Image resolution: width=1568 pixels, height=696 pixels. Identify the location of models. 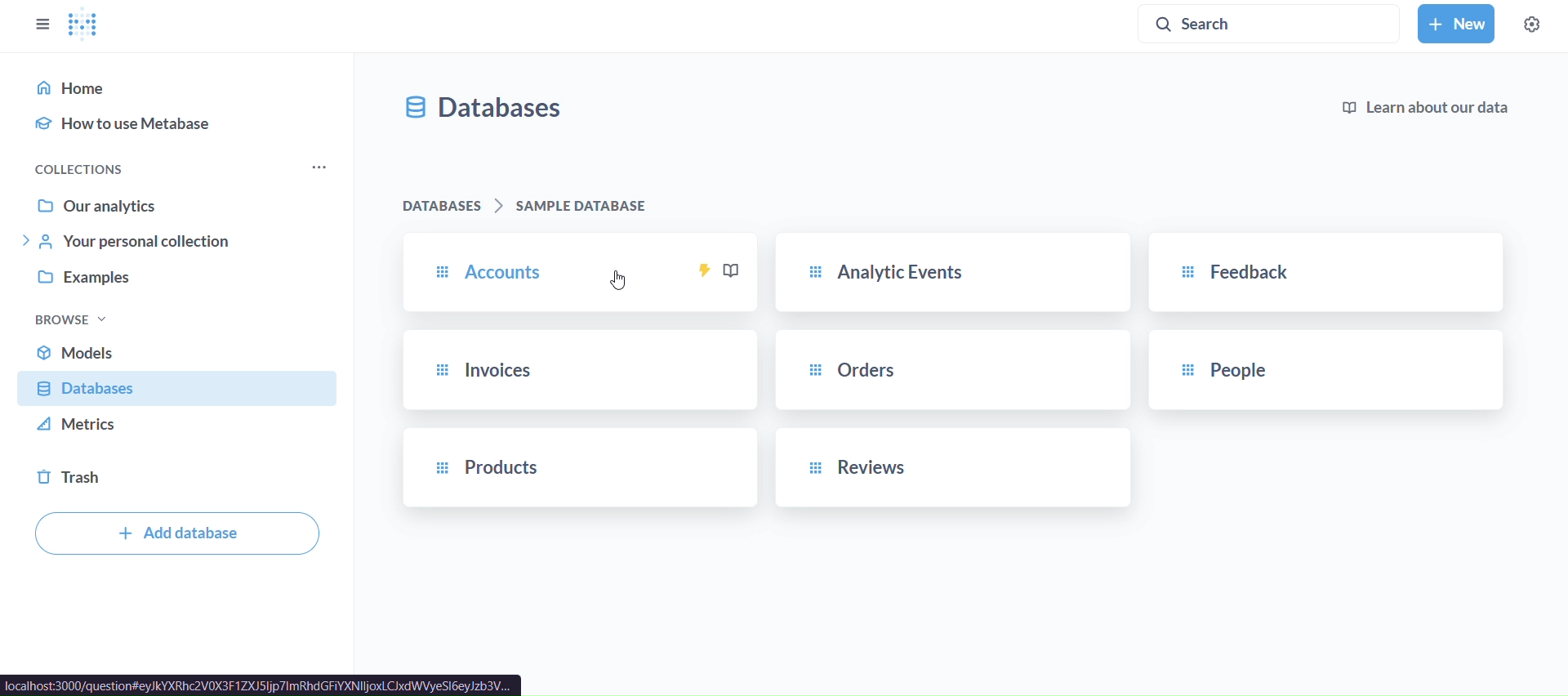
(180, 351).